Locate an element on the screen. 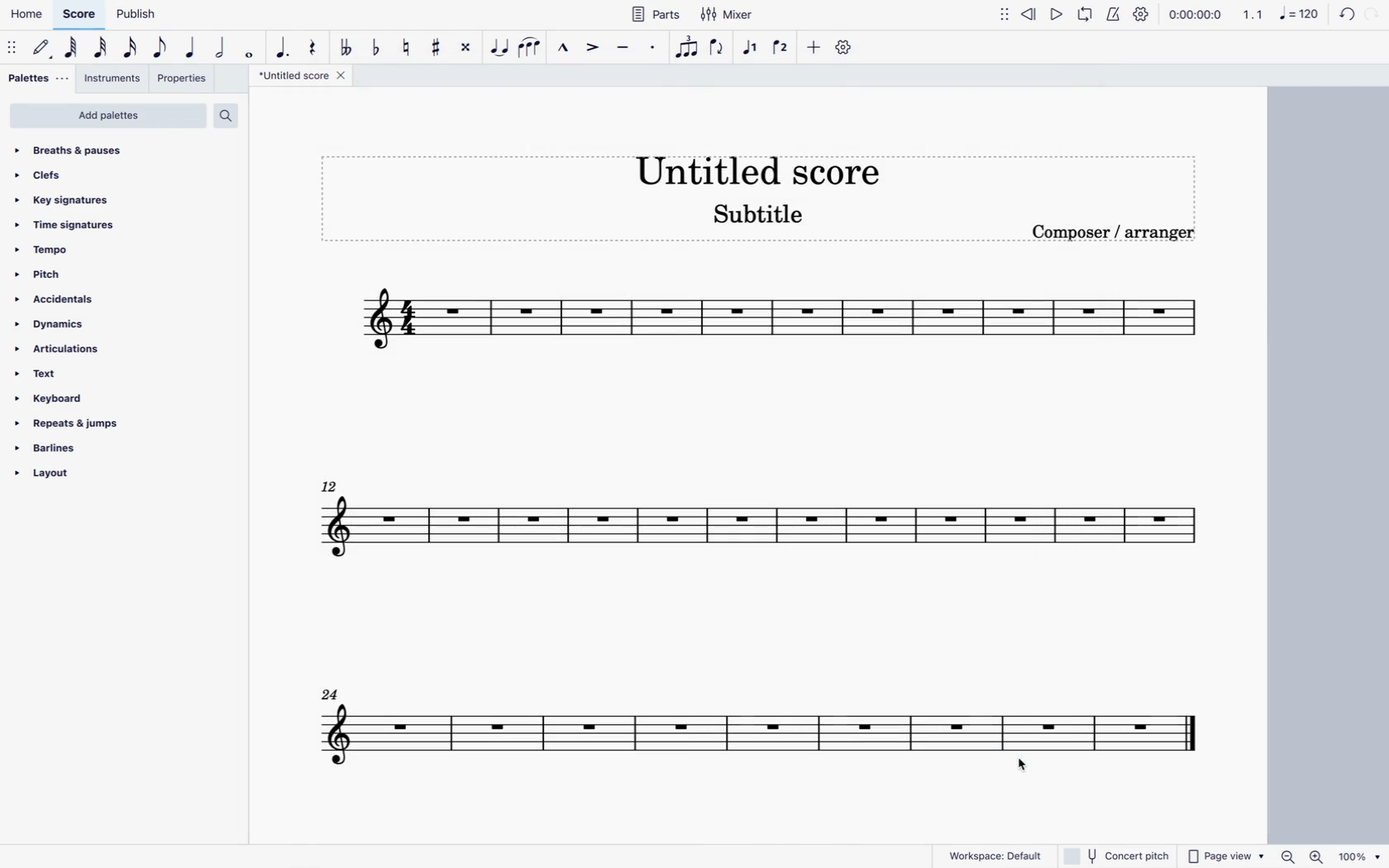 Image resolution: width=1389 pixels, height=868 pixels. voice 2 is located at coordinates (783, 48).